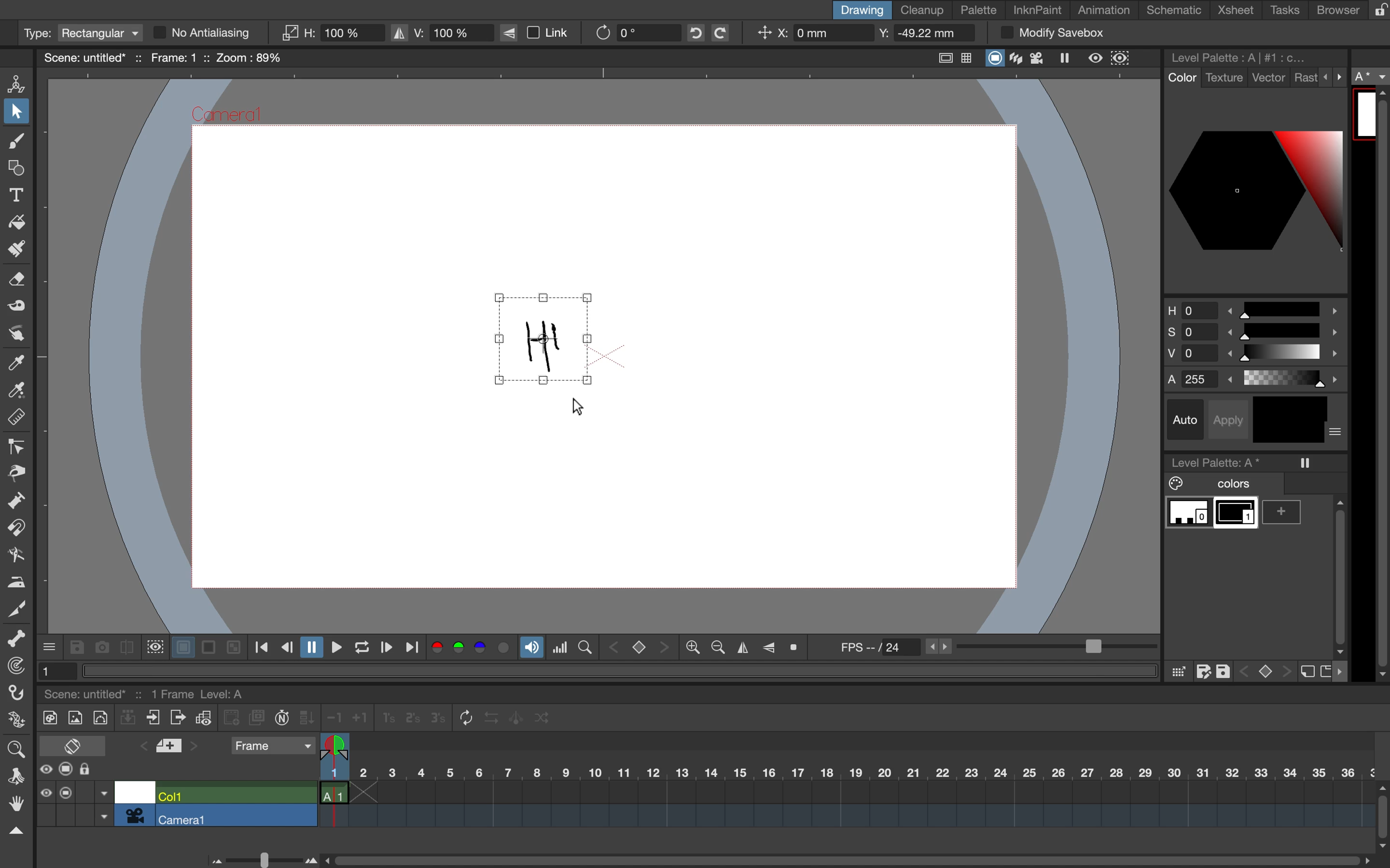 The width and height of the screenshot is (1390, 868). I want to click on click and drag color palaette, so click(1177, 672).